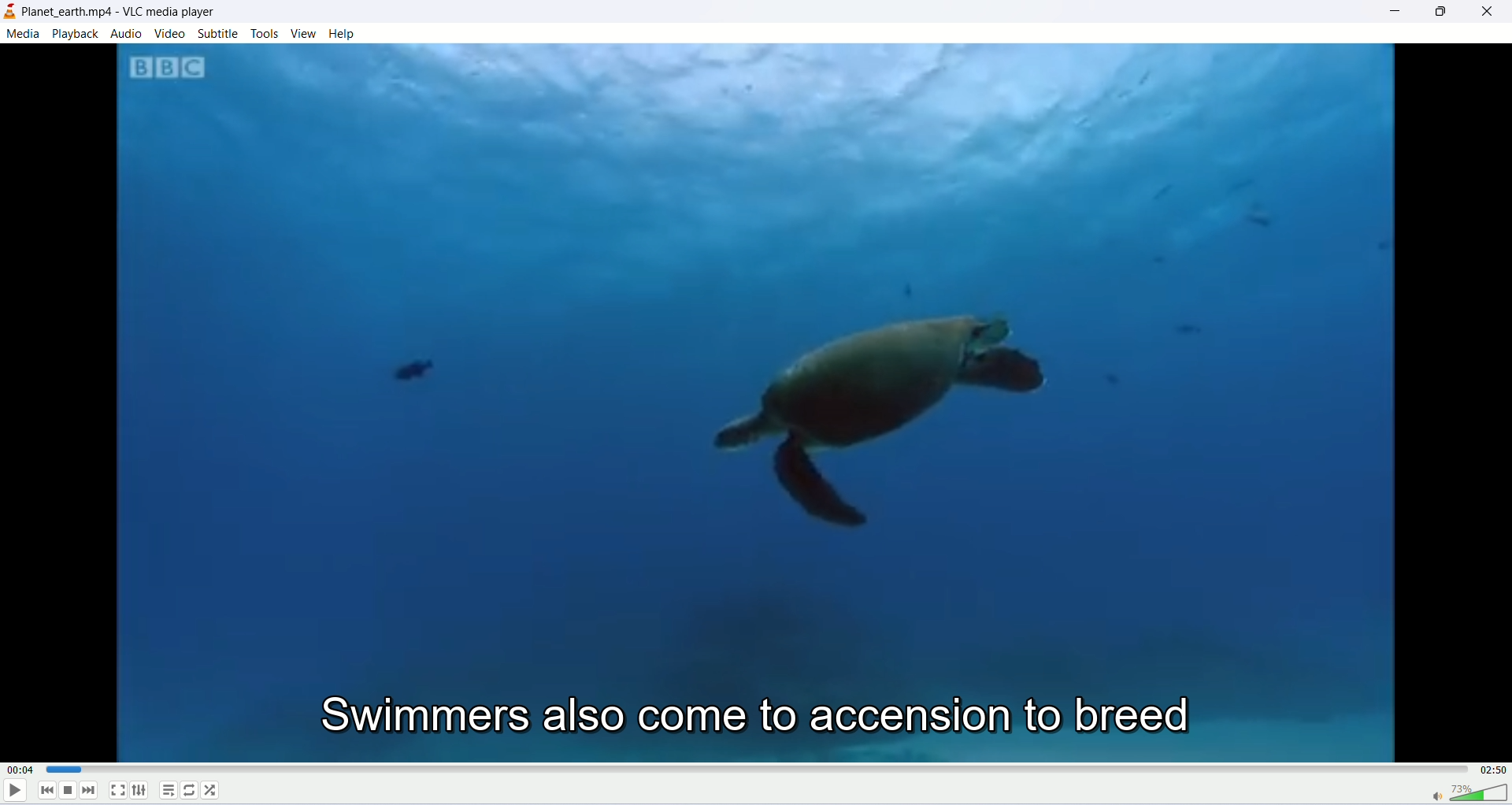 The width and height of the screenshot is (1512, 805). What do you see at coordinates (188, 792) in the screenshot?
I see `loop` at bounding box center [188, 792].